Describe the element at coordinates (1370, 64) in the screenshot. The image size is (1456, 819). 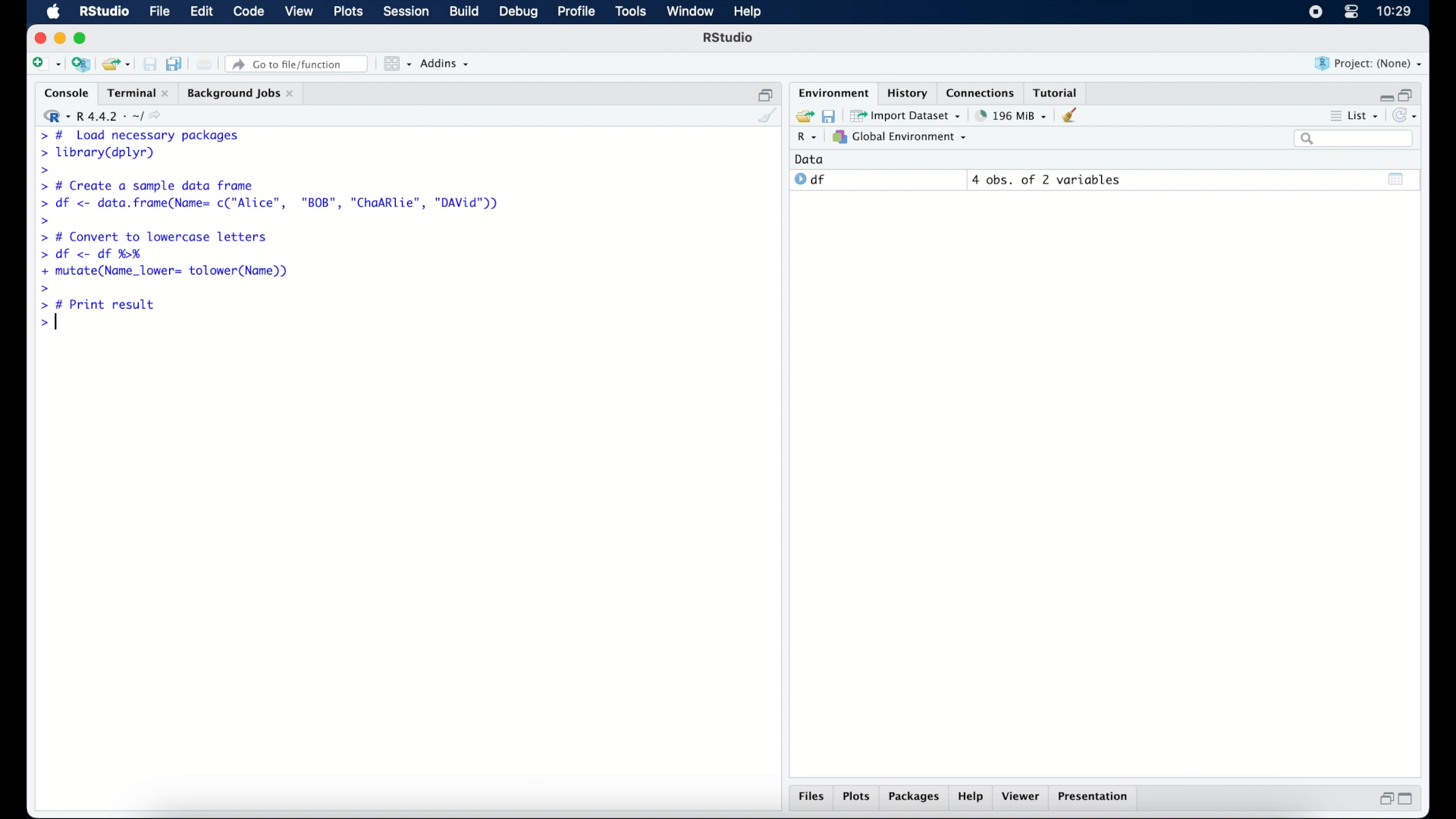
I see `project (none)` at that location.